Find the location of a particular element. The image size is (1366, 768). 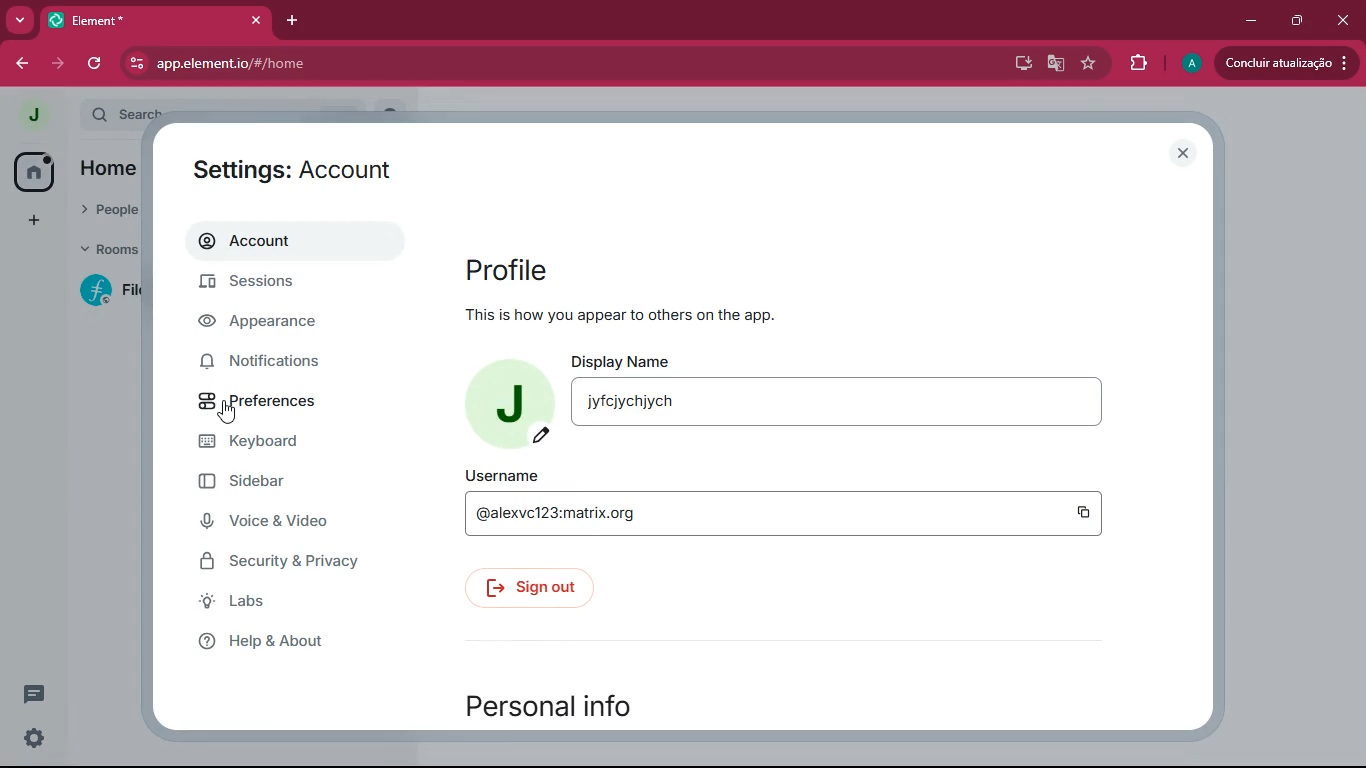

close is located at coordinates (1342, 21).